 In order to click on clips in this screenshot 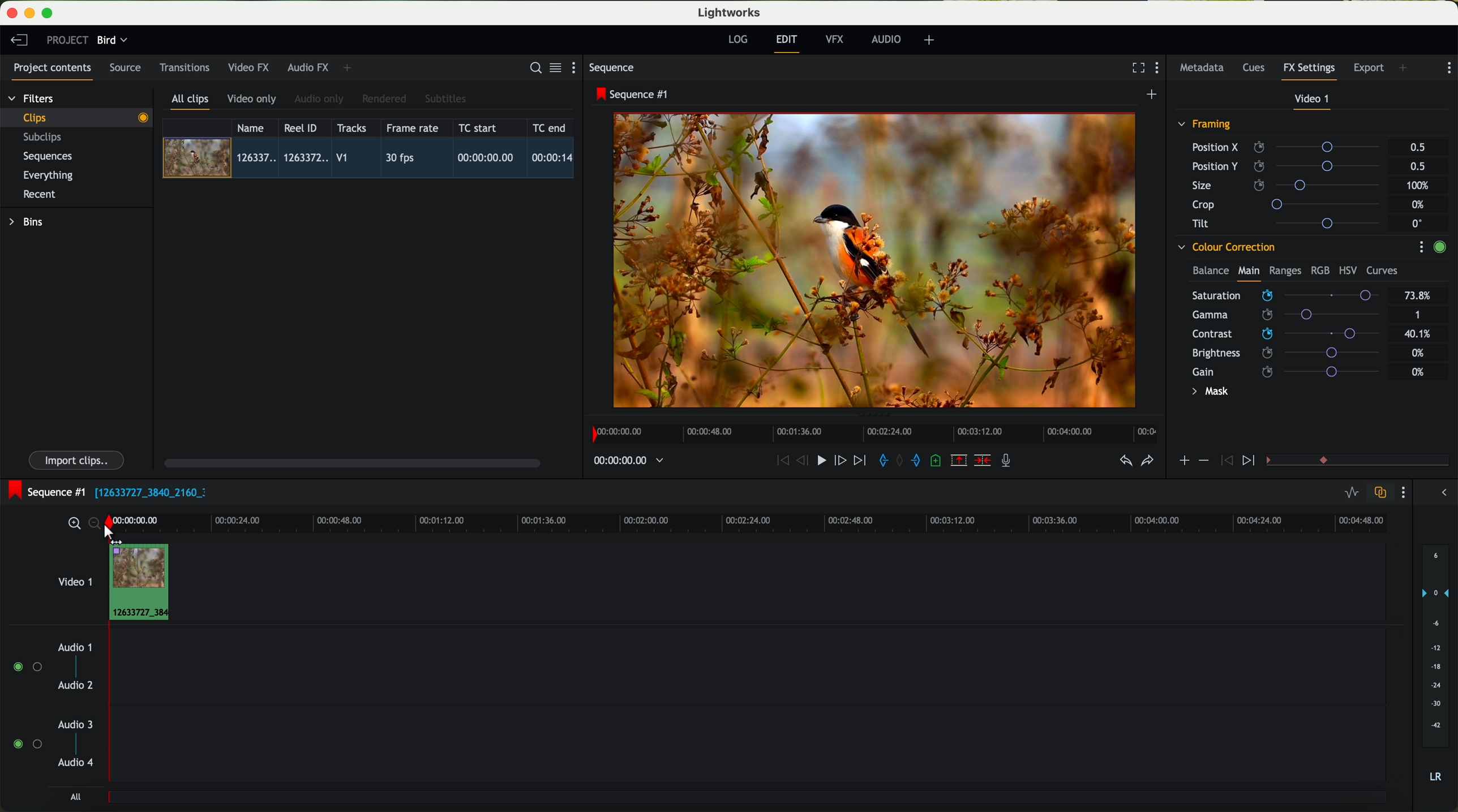, I will do `click(77, 117)`.